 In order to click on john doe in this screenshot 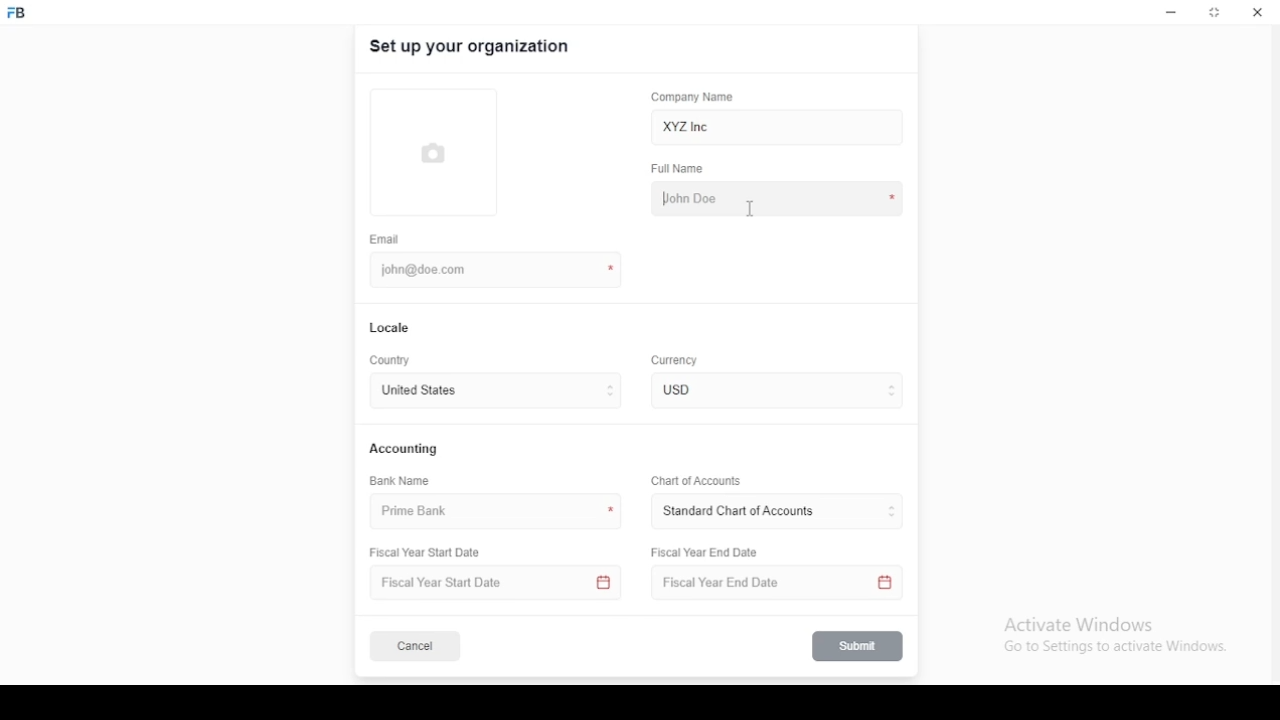, I will do `click(777, 197)`.